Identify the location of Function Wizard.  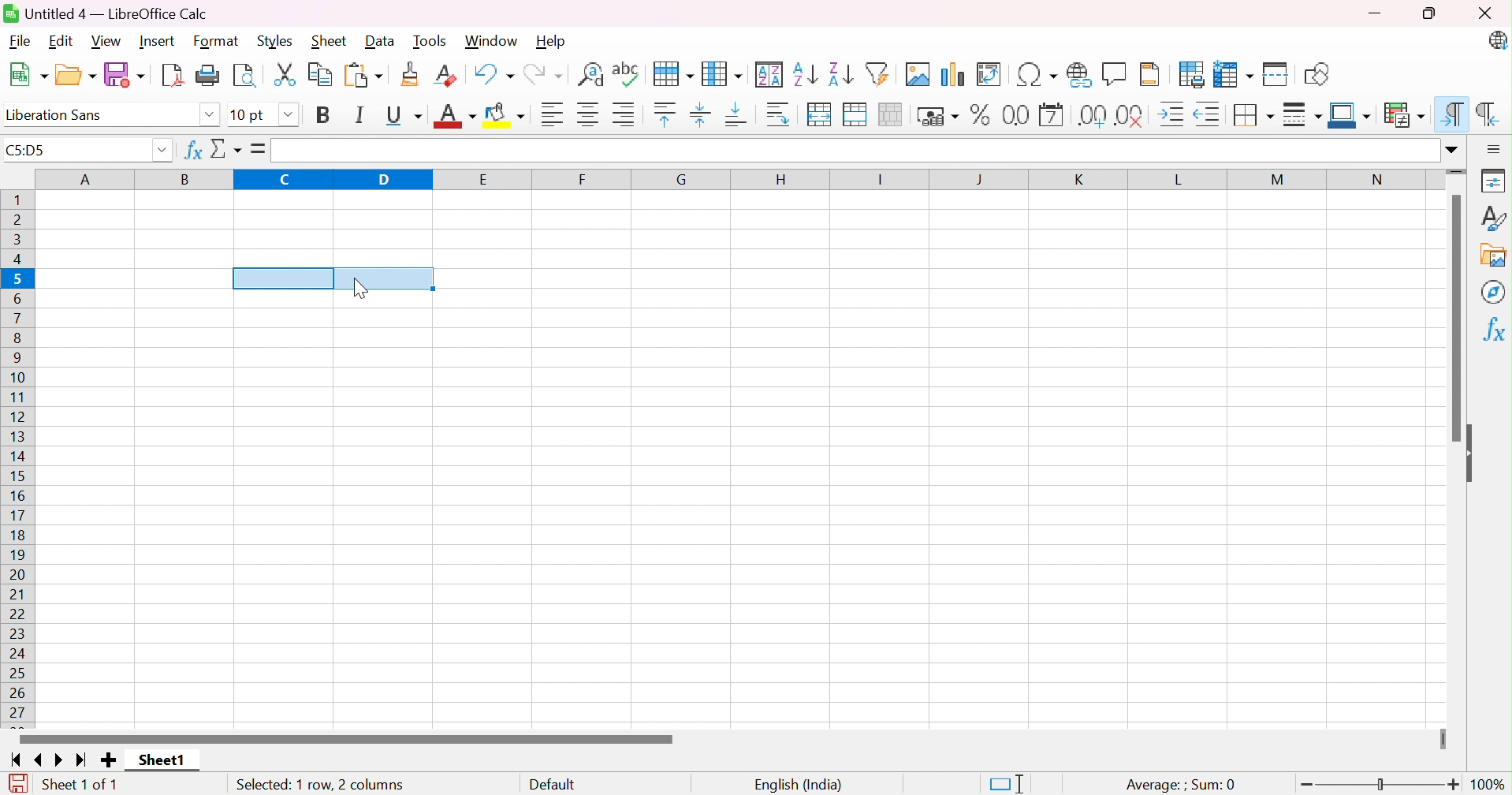
(191, 151).